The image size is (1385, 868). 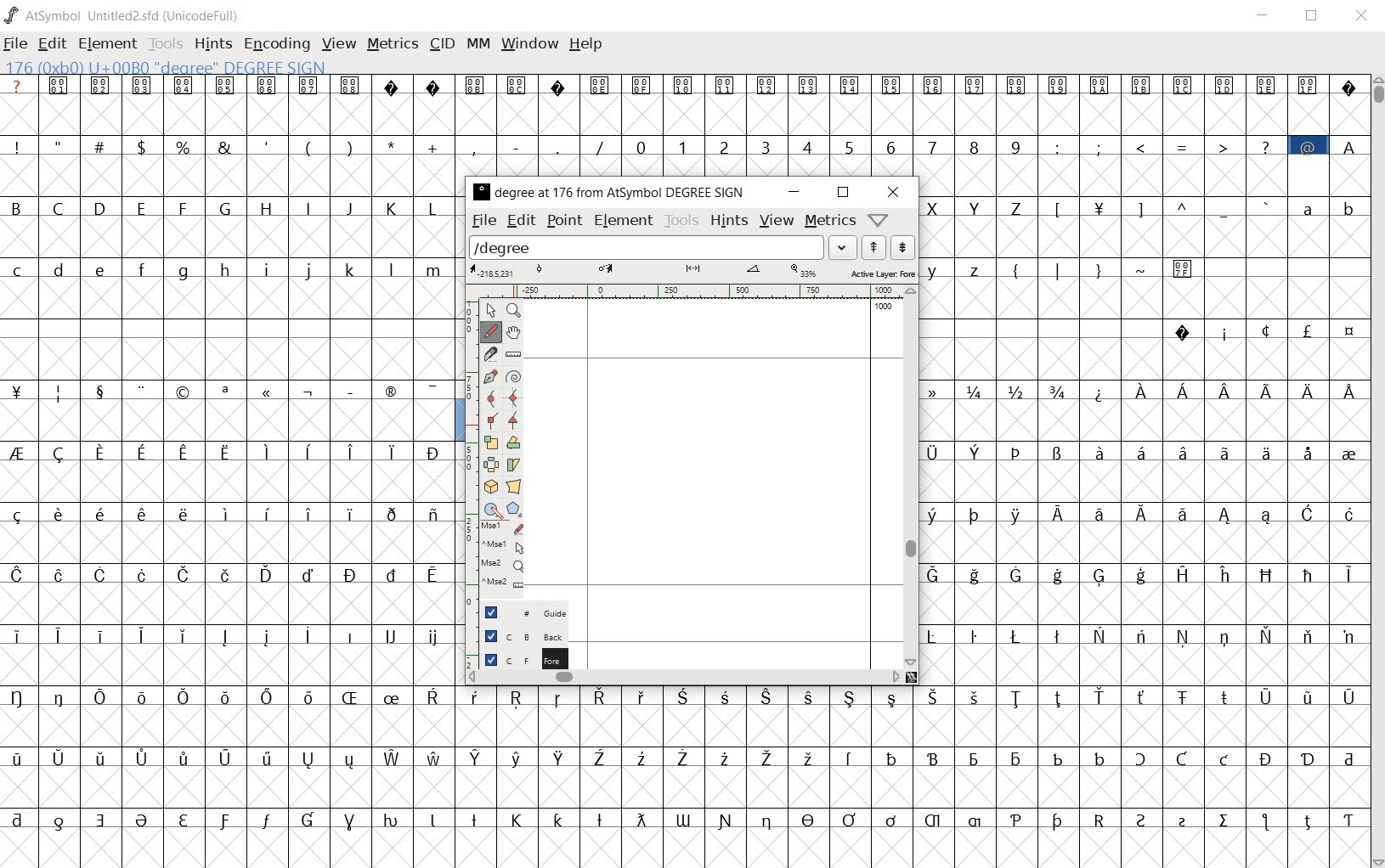 What do you see at coordinates (1348, 144) in the screenshot?
I see `A` at bounding box center [1348, 144].